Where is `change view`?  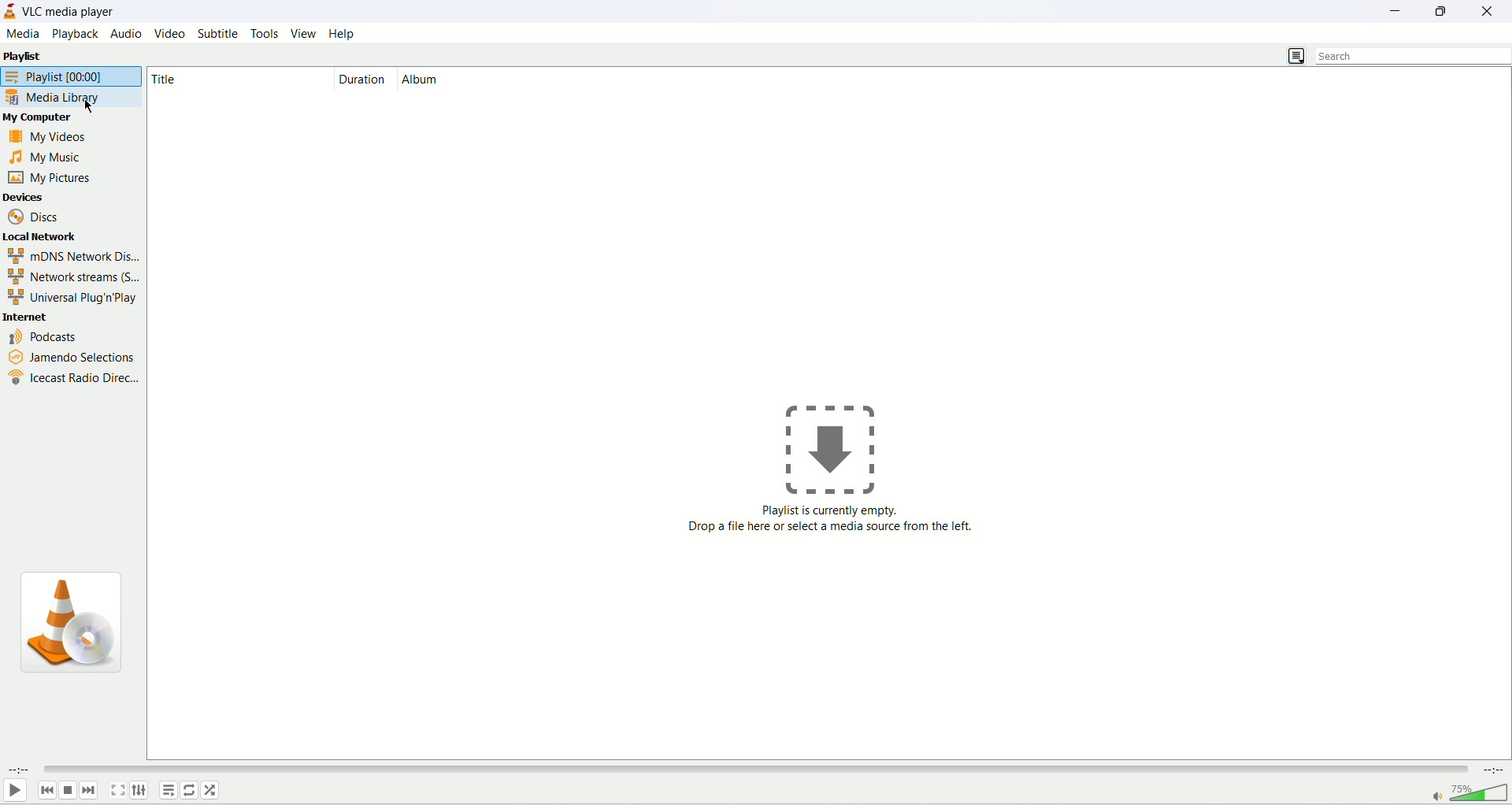 change view is located at coordinates (1295, 56).